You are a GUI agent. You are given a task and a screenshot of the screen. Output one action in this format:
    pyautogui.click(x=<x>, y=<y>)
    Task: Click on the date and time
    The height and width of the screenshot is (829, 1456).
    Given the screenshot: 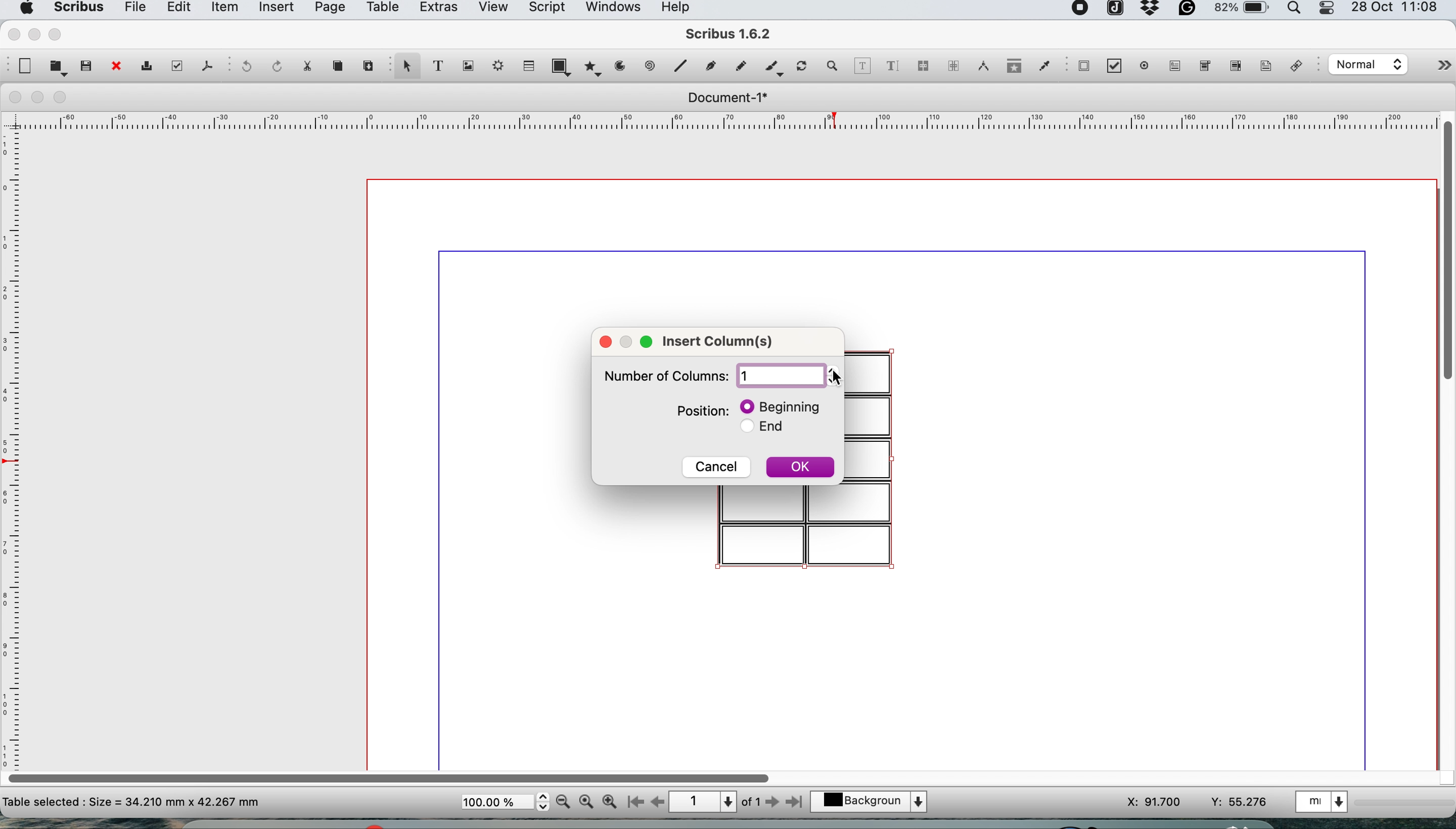 What is the action you would take?
    pyautogui.click(x=1397, y=9)
    